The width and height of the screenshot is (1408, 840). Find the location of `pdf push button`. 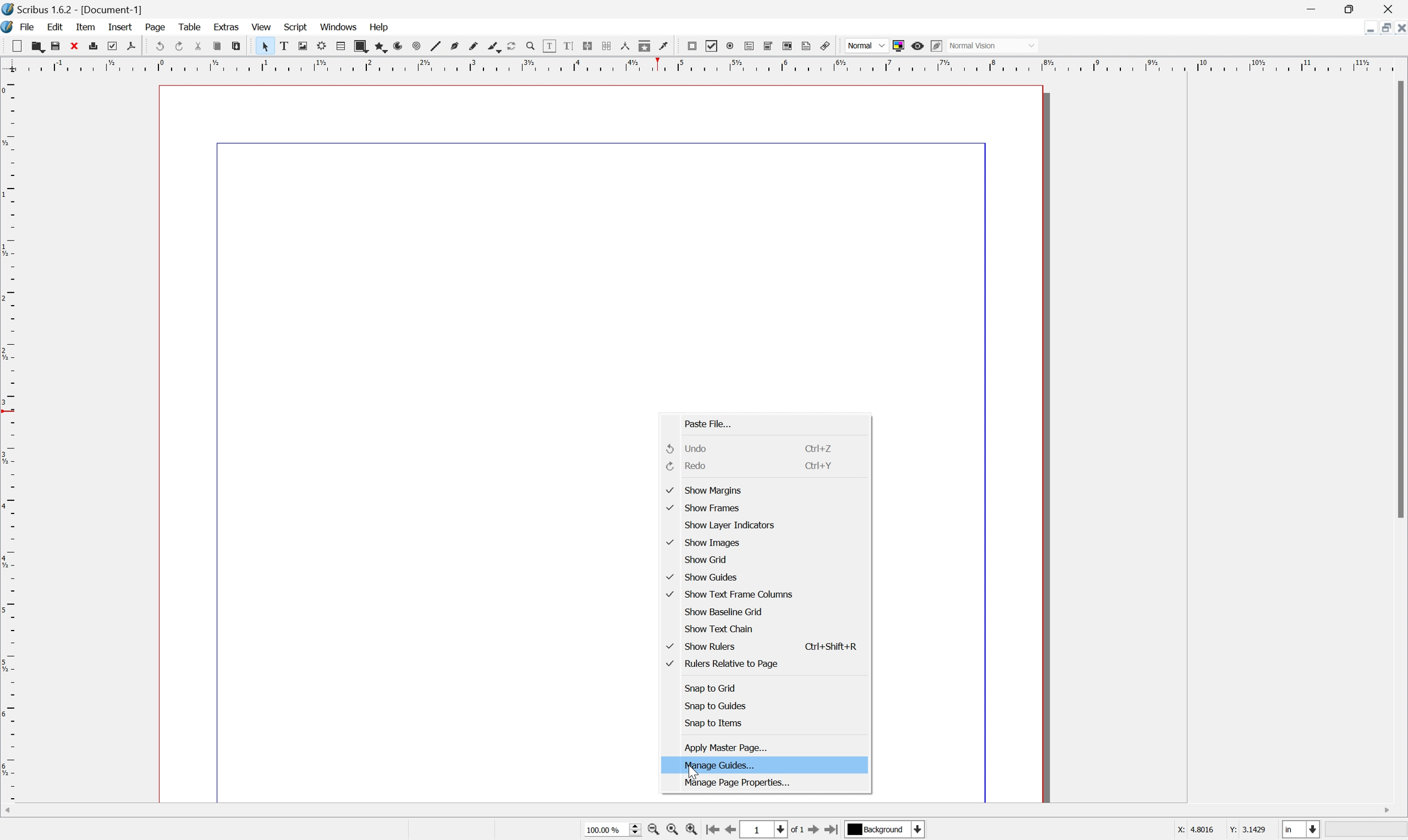

pdf push button is located at coordinates (693, 46).